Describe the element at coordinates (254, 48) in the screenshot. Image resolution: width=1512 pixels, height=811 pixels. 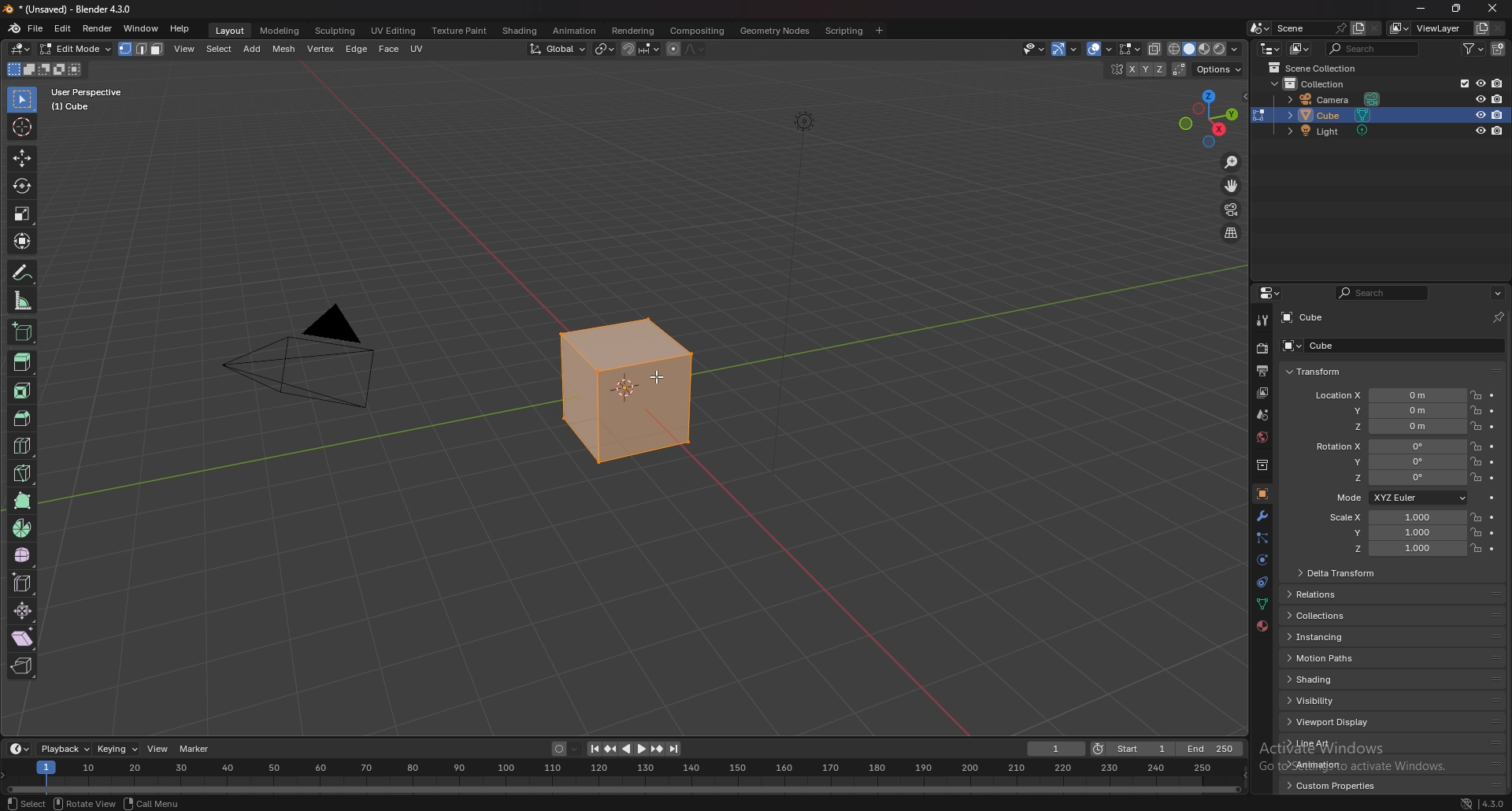
I see `add` at that location.